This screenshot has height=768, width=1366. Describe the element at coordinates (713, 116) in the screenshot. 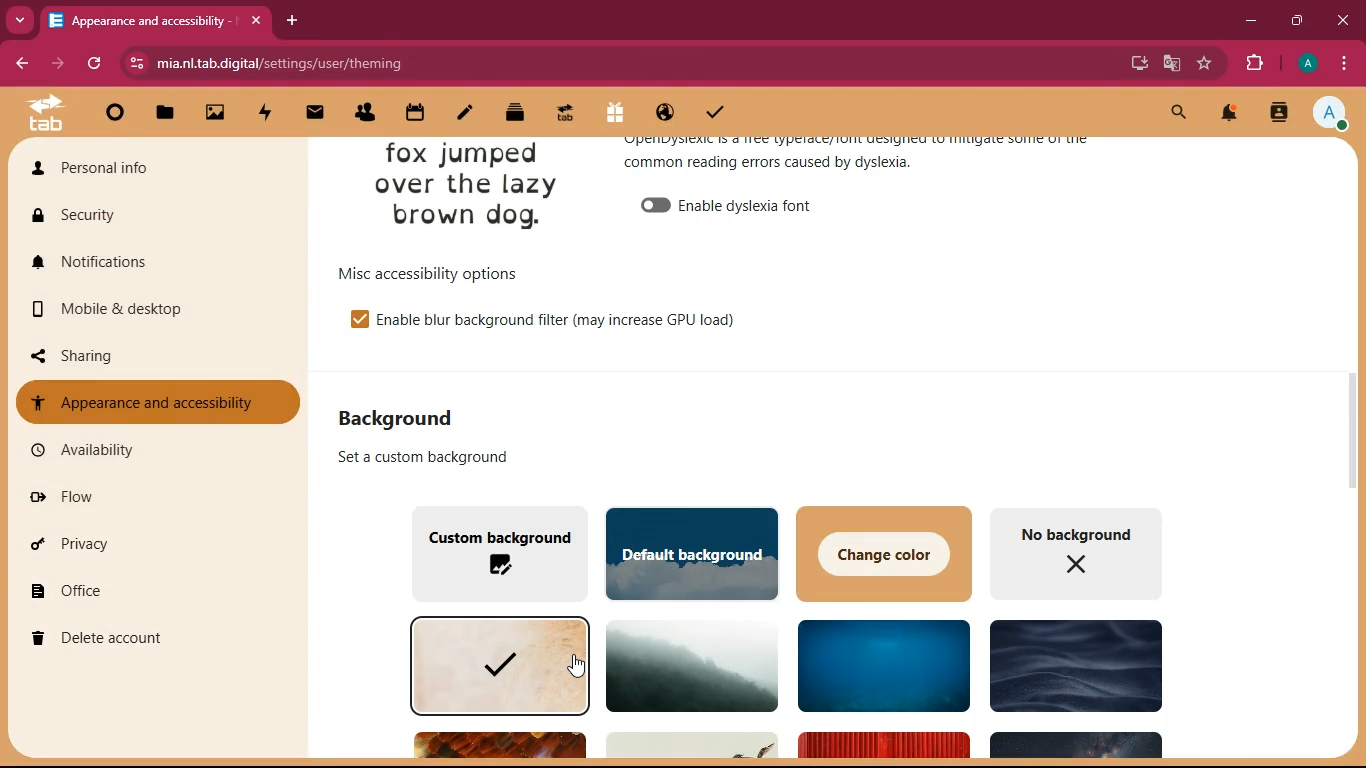

I see `tasks` at that location.